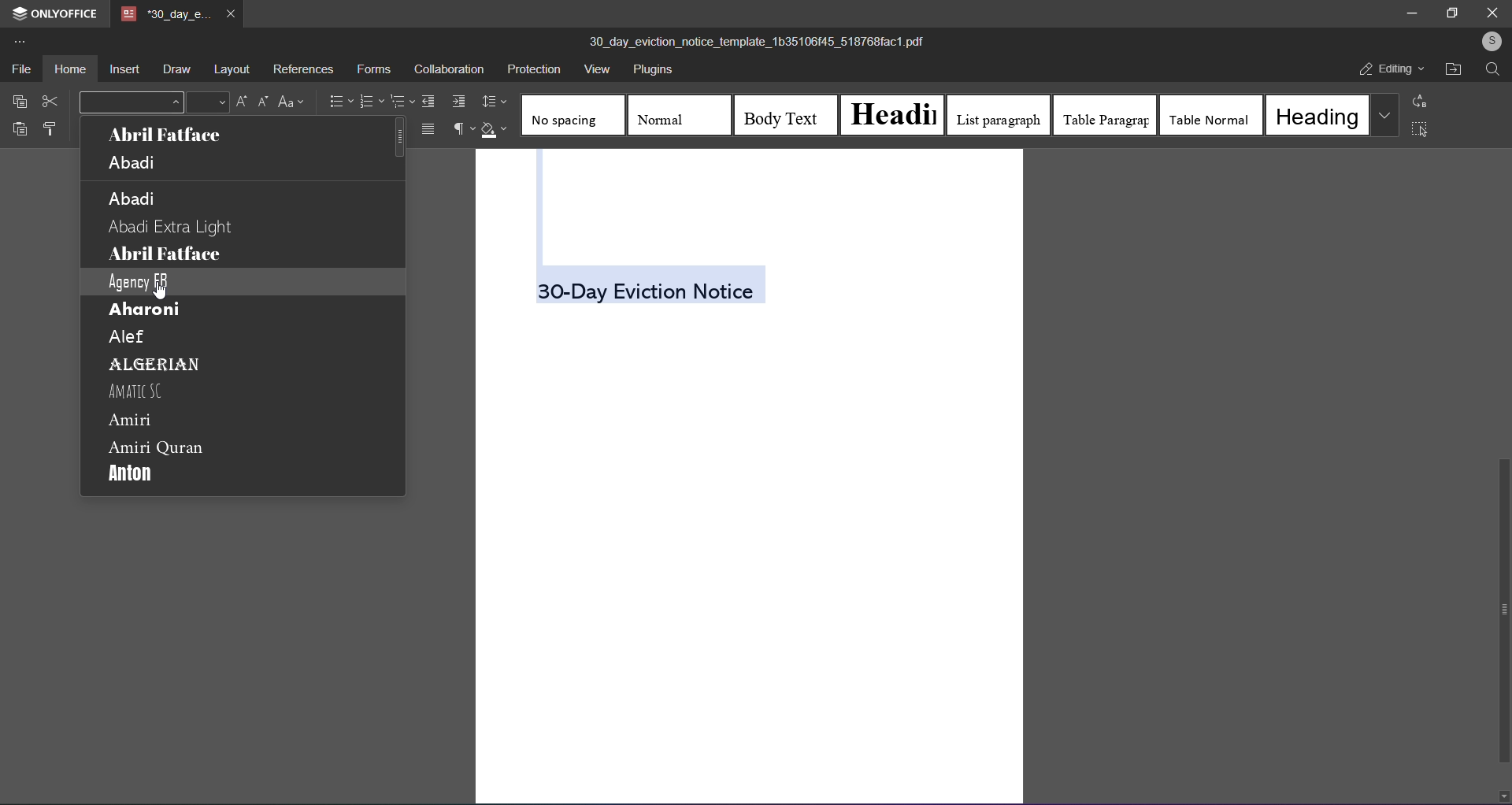  I want to click on more, so click(1384, 114).